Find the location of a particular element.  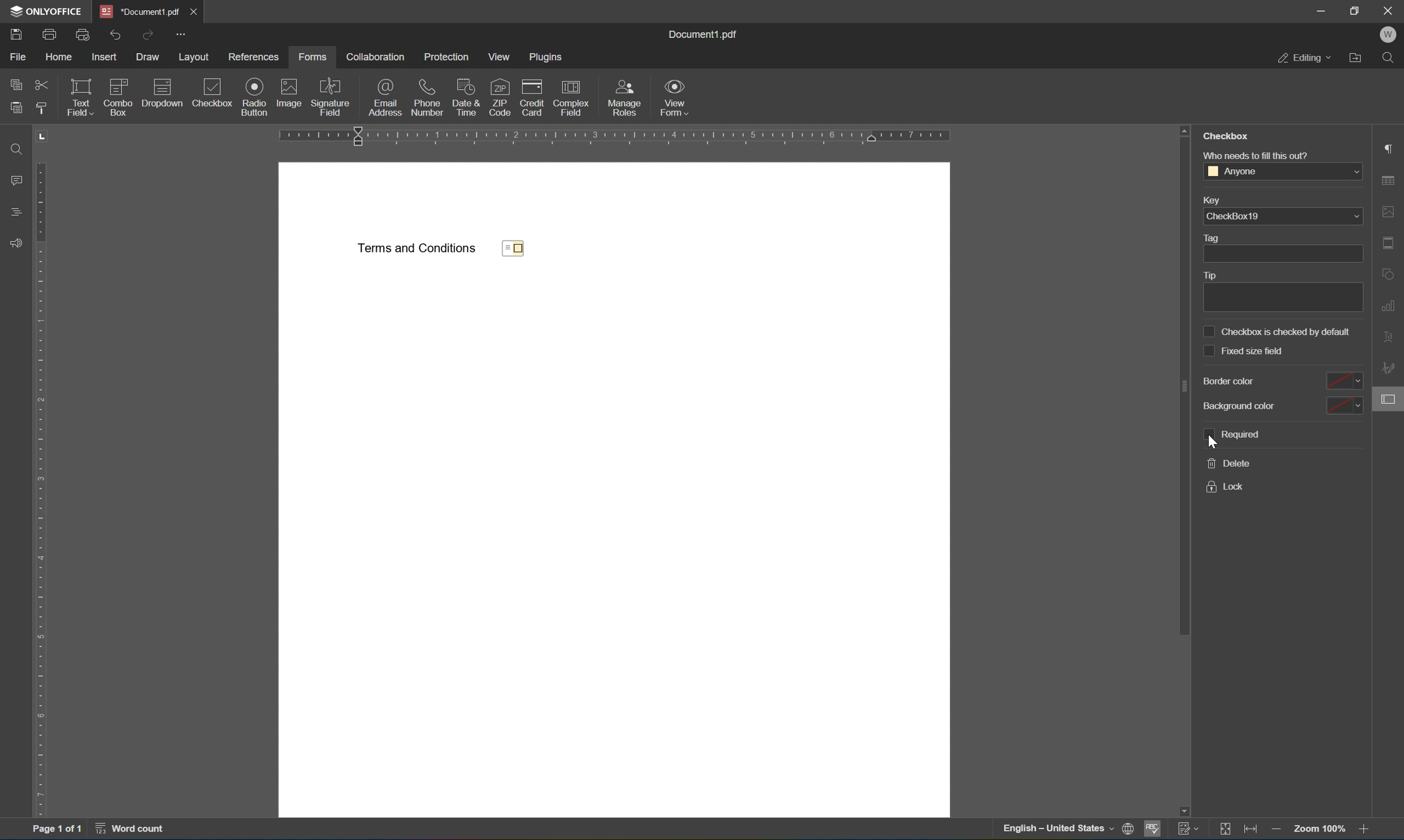

fixed size field is located at coordinates (1244, 351).